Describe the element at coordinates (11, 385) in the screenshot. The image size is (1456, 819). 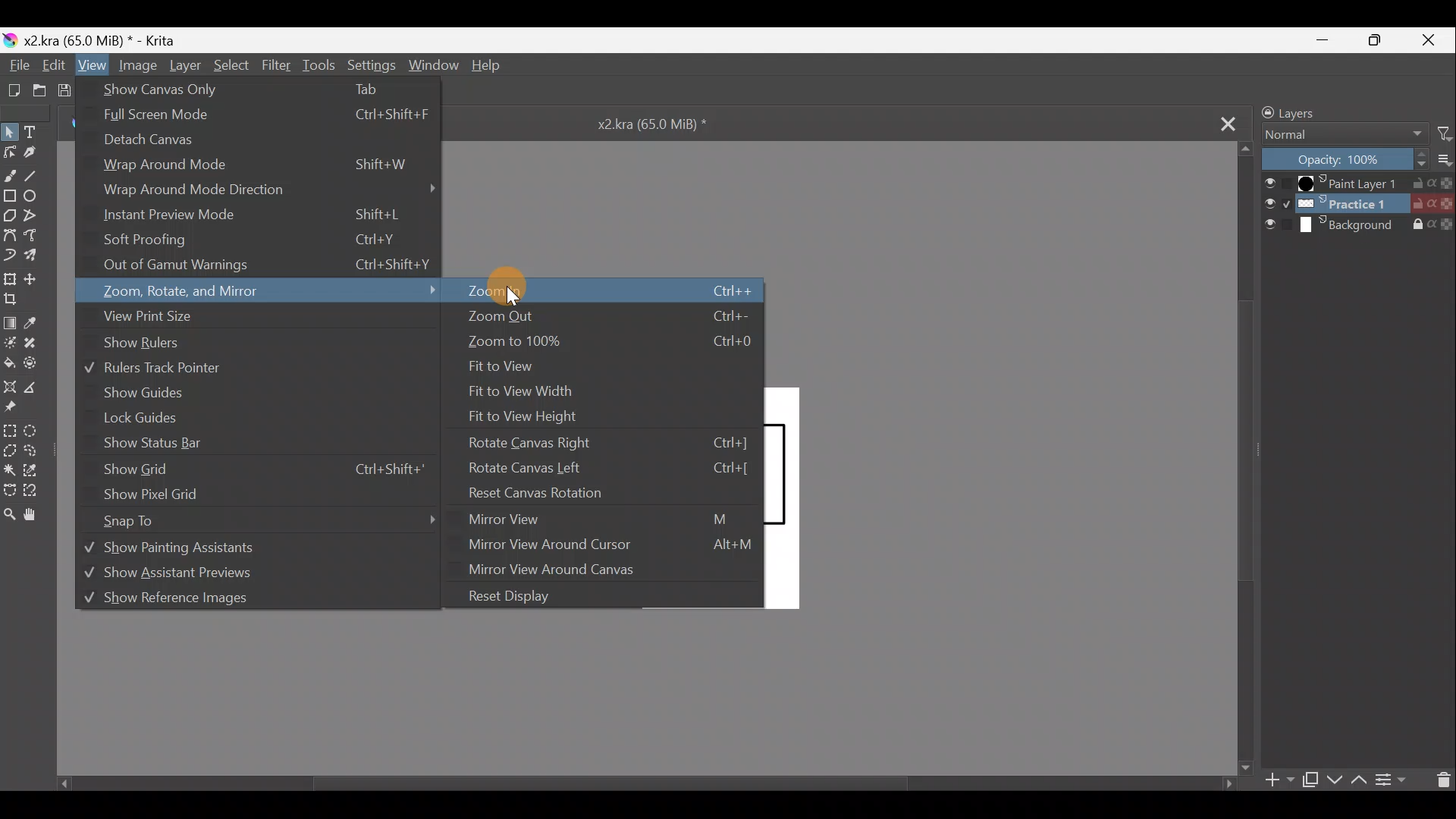
I see `Assistant tool` at that location.